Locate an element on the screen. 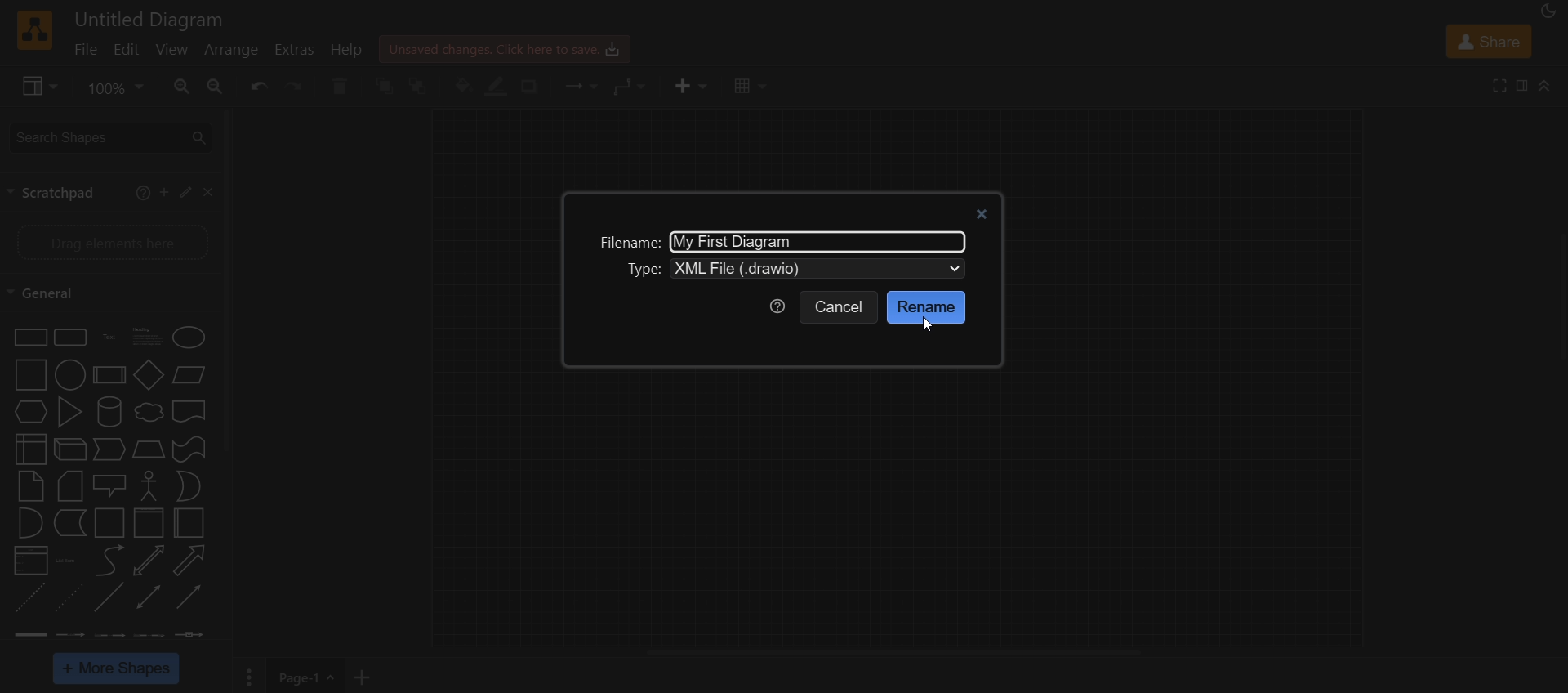 This screenshot has width=1568, height=693. edit is located at coordinates (126, 51).